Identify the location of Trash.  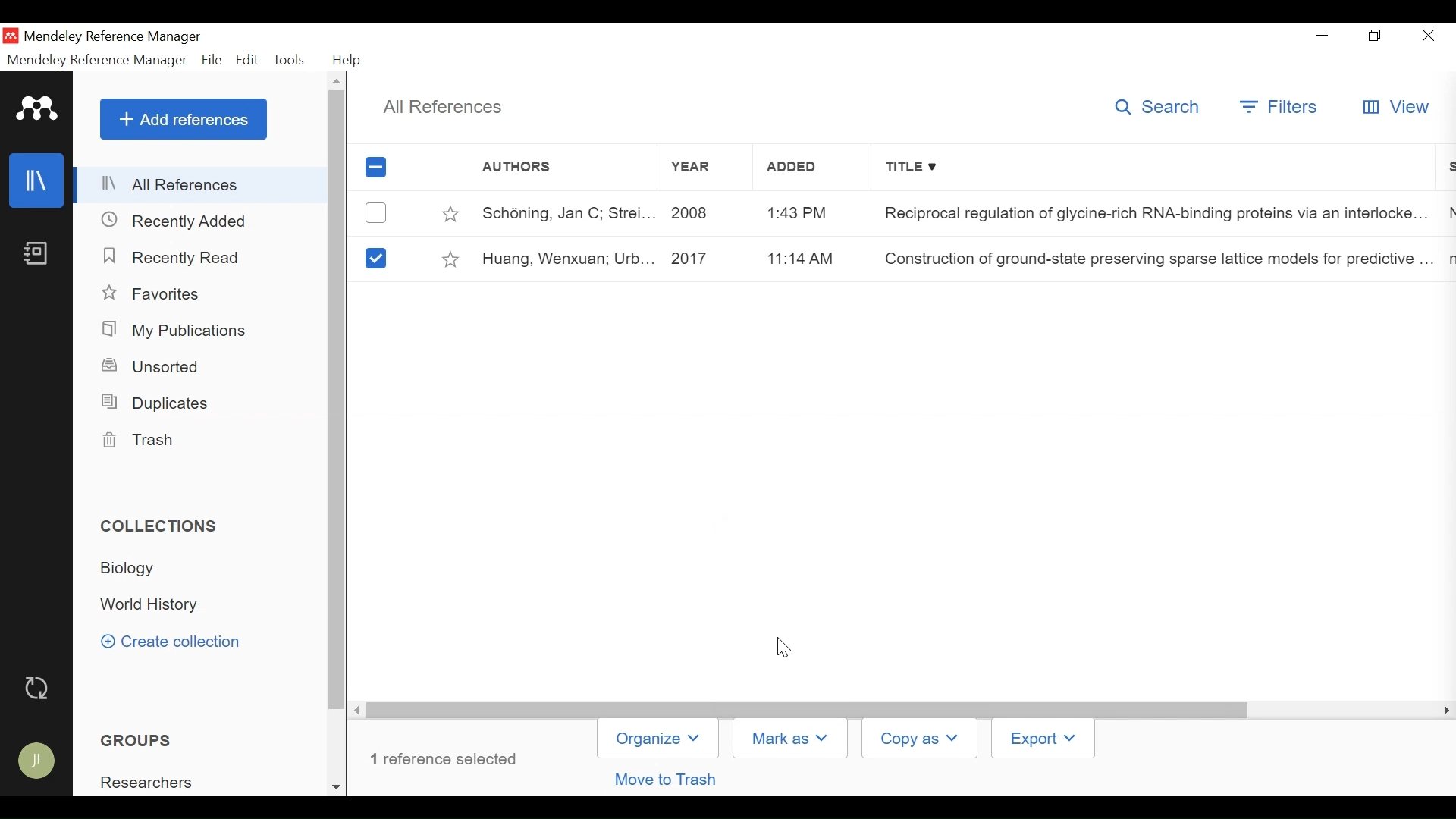
(143, 441).